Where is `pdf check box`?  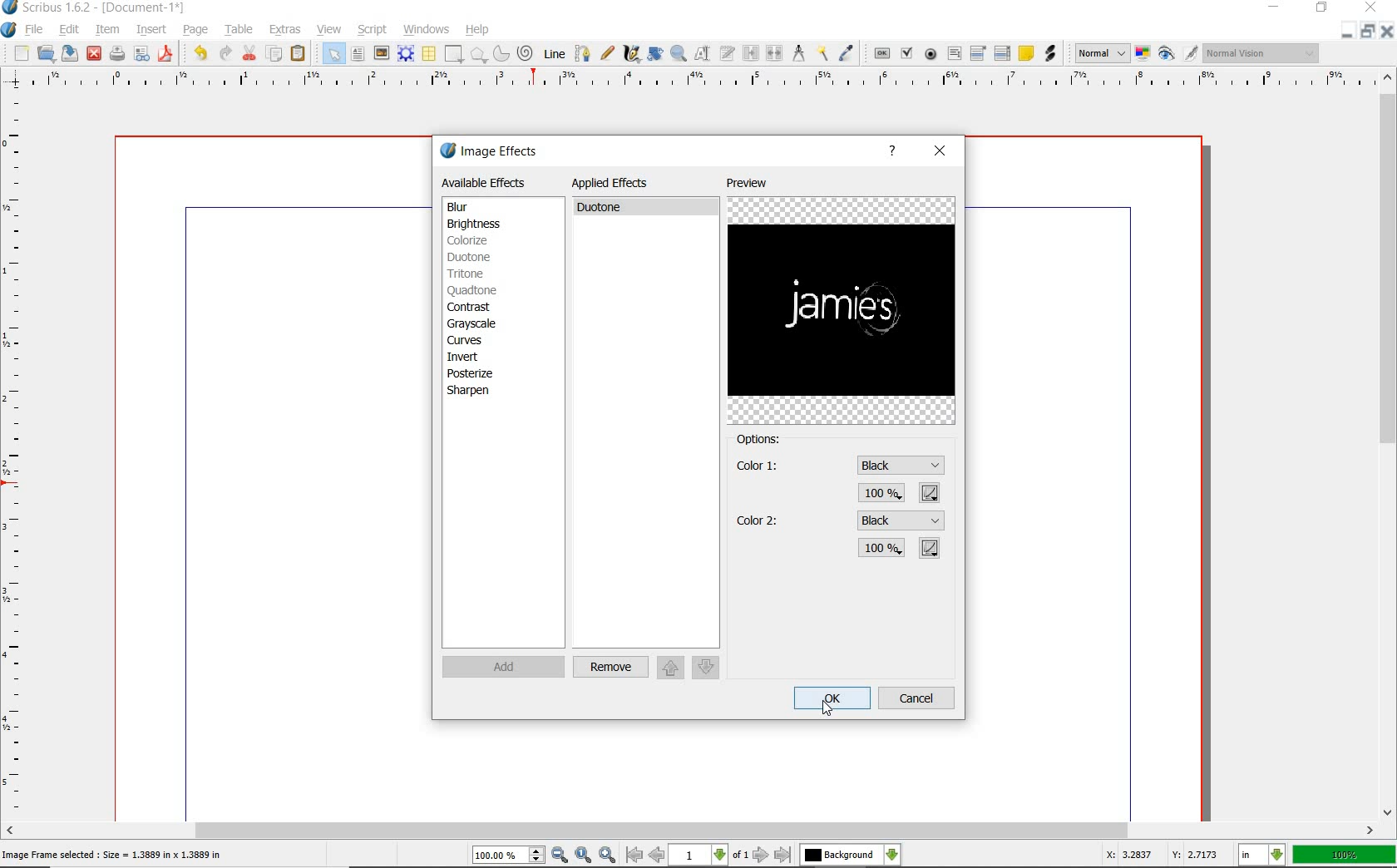
pdf check box is located at coordinates (906, 53).